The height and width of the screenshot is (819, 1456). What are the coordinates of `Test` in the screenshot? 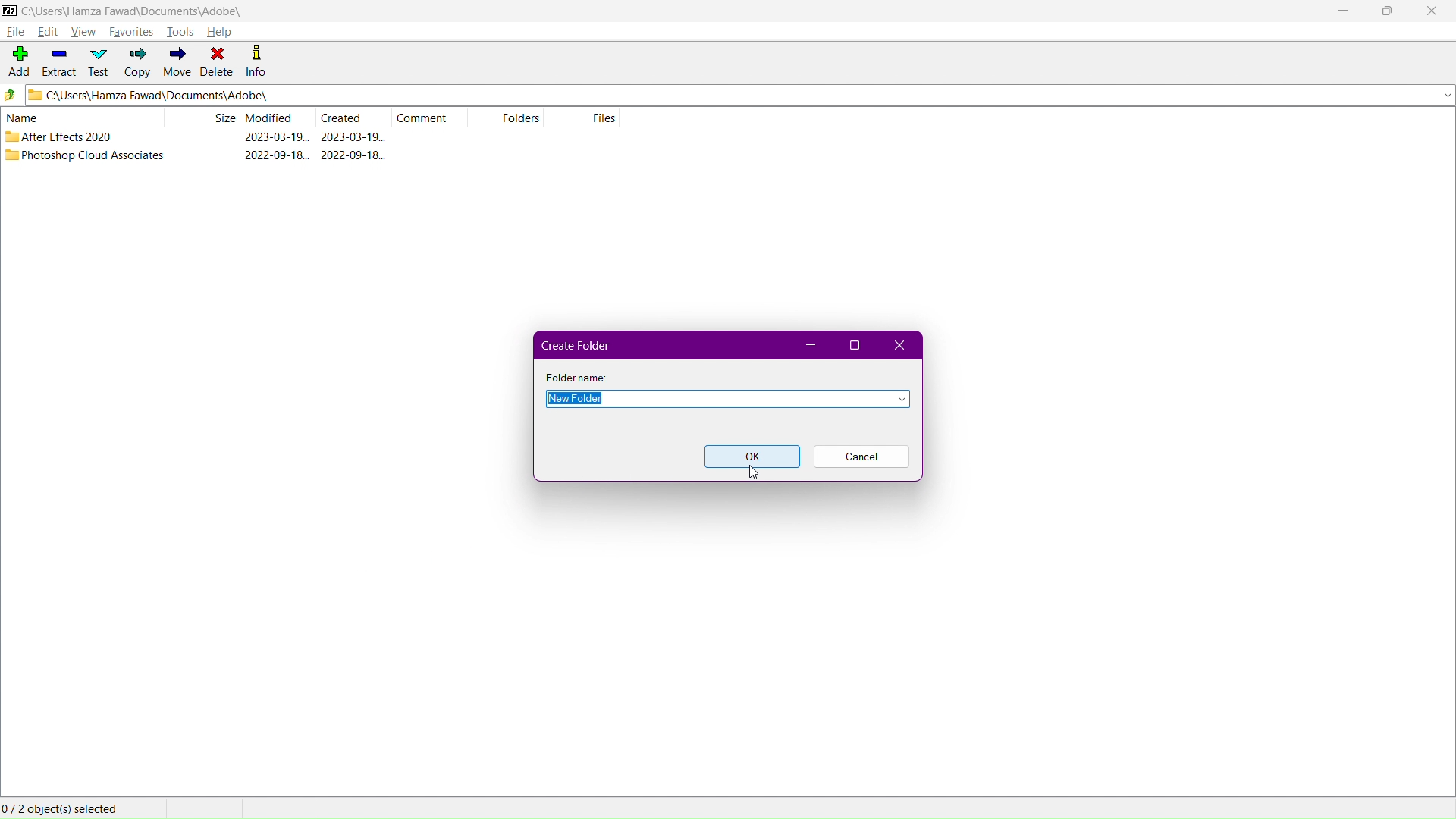 It's located at (98, 62).